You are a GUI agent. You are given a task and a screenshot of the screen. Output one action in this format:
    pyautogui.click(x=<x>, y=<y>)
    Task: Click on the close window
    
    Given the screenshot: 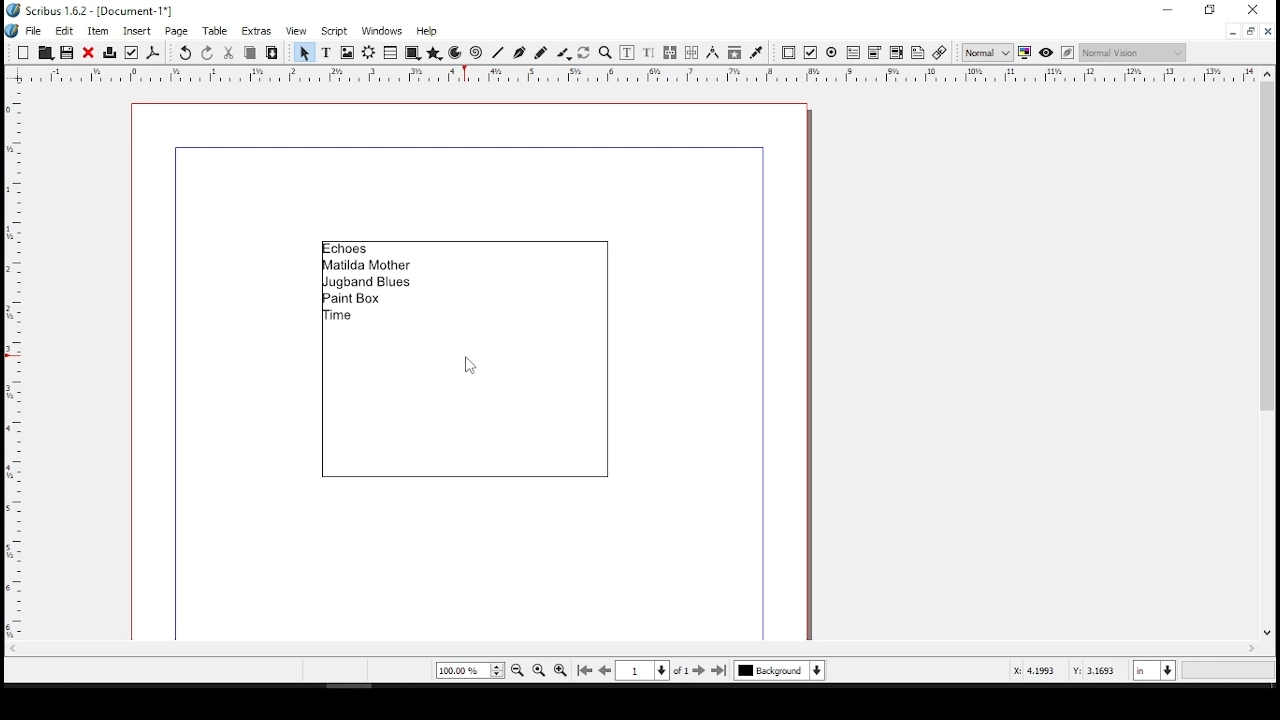 What is the action you would take?
    pyautogui.click(x=1268, y=31)
    